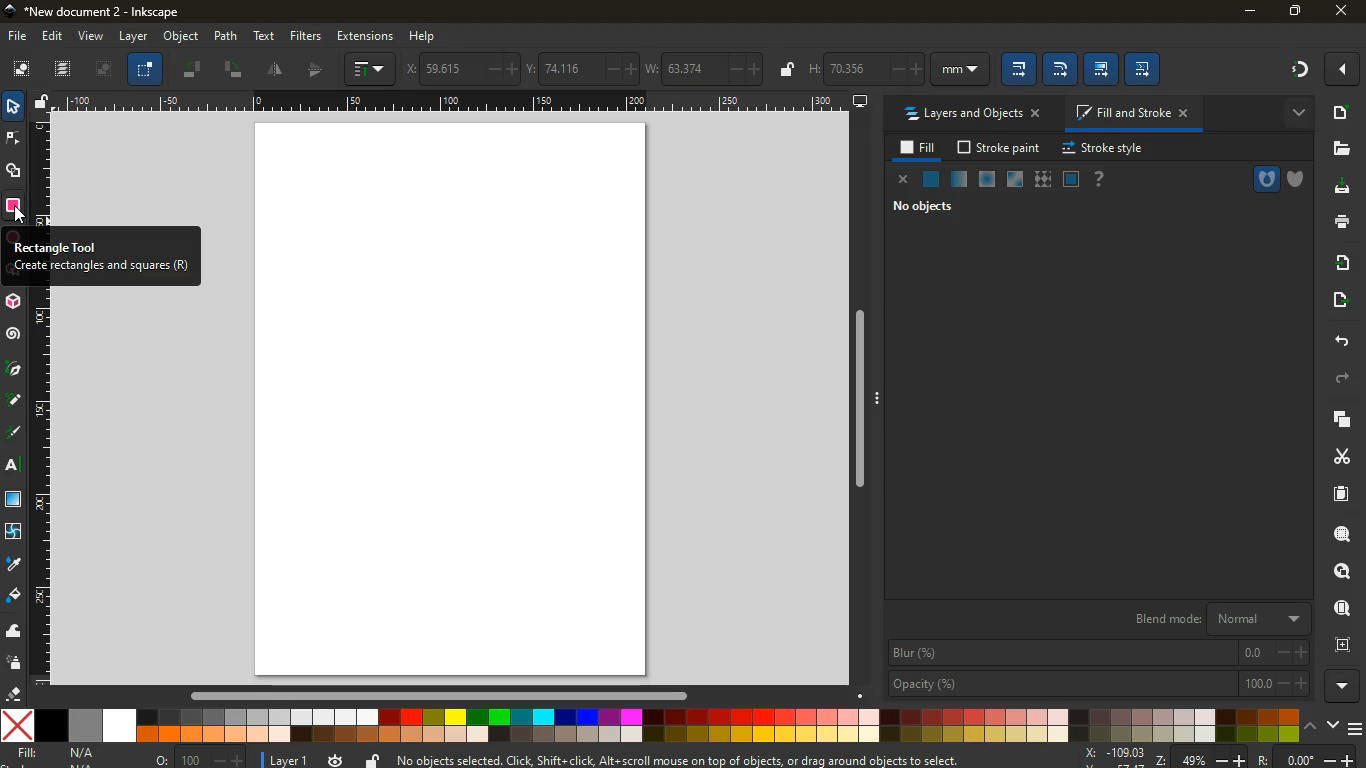 The image size is (1366, 768). Describe the element at coordinates (1014, 179) in the screenshot. I see `window` at that location.